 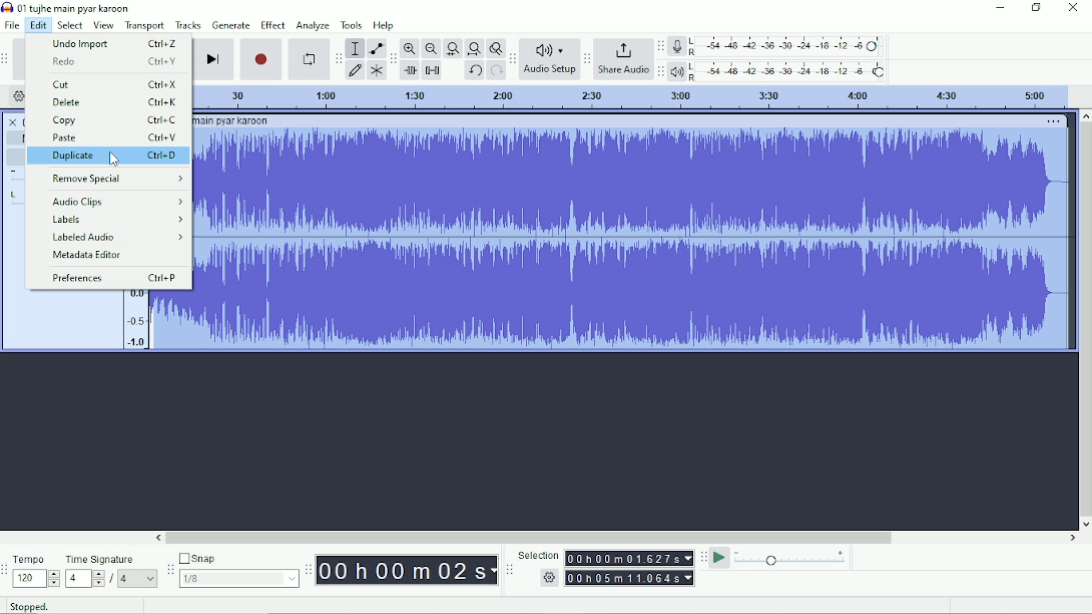 I want to click on Preferences, so click(x=114, y=277).